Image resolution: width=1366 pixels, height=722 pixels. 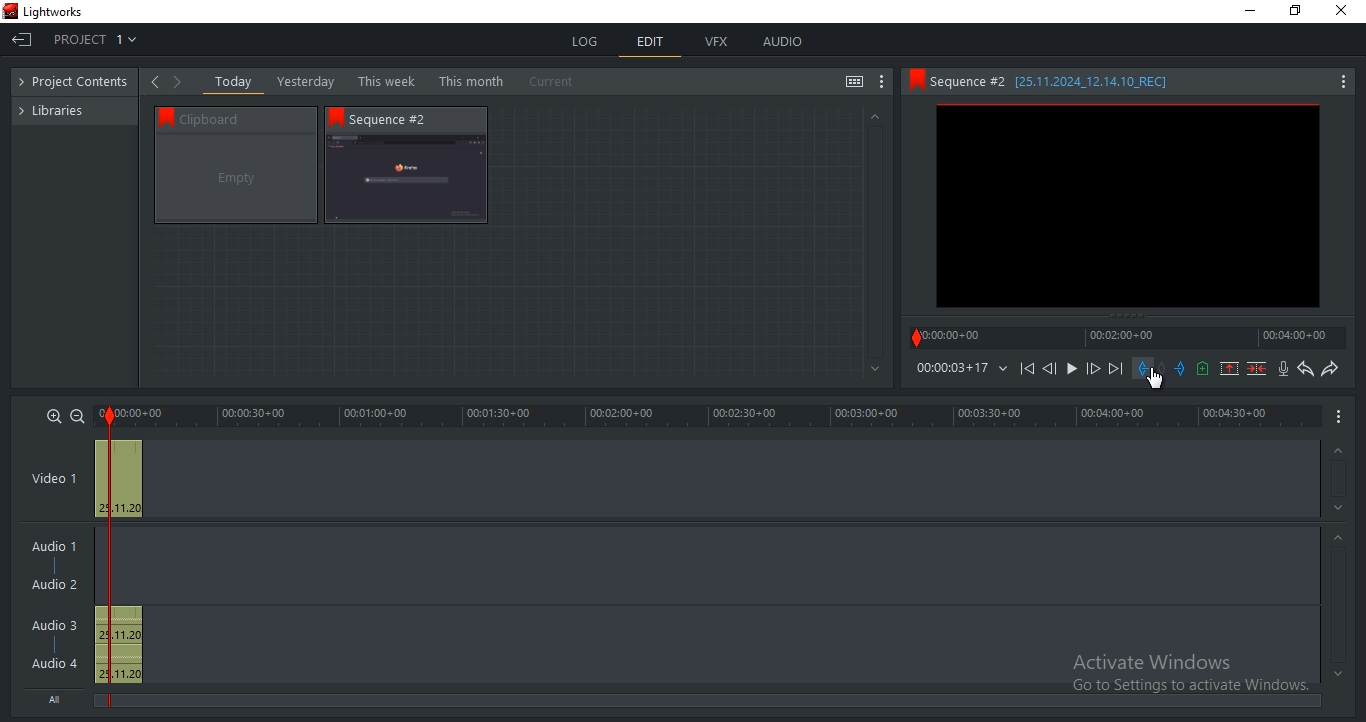 I want to click on Sequence Marker, so click(x=99, y=559).